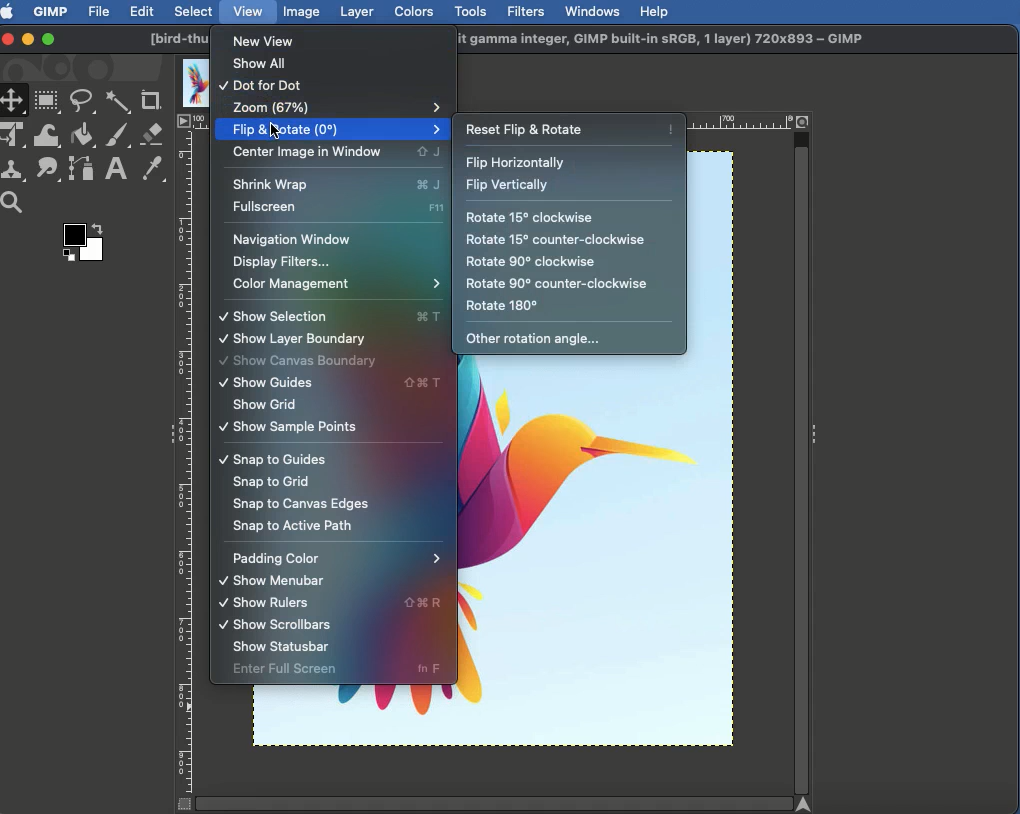 The width and height of the screenshot is (1020, 814). I want to click on Show grid, so click(265, 405).